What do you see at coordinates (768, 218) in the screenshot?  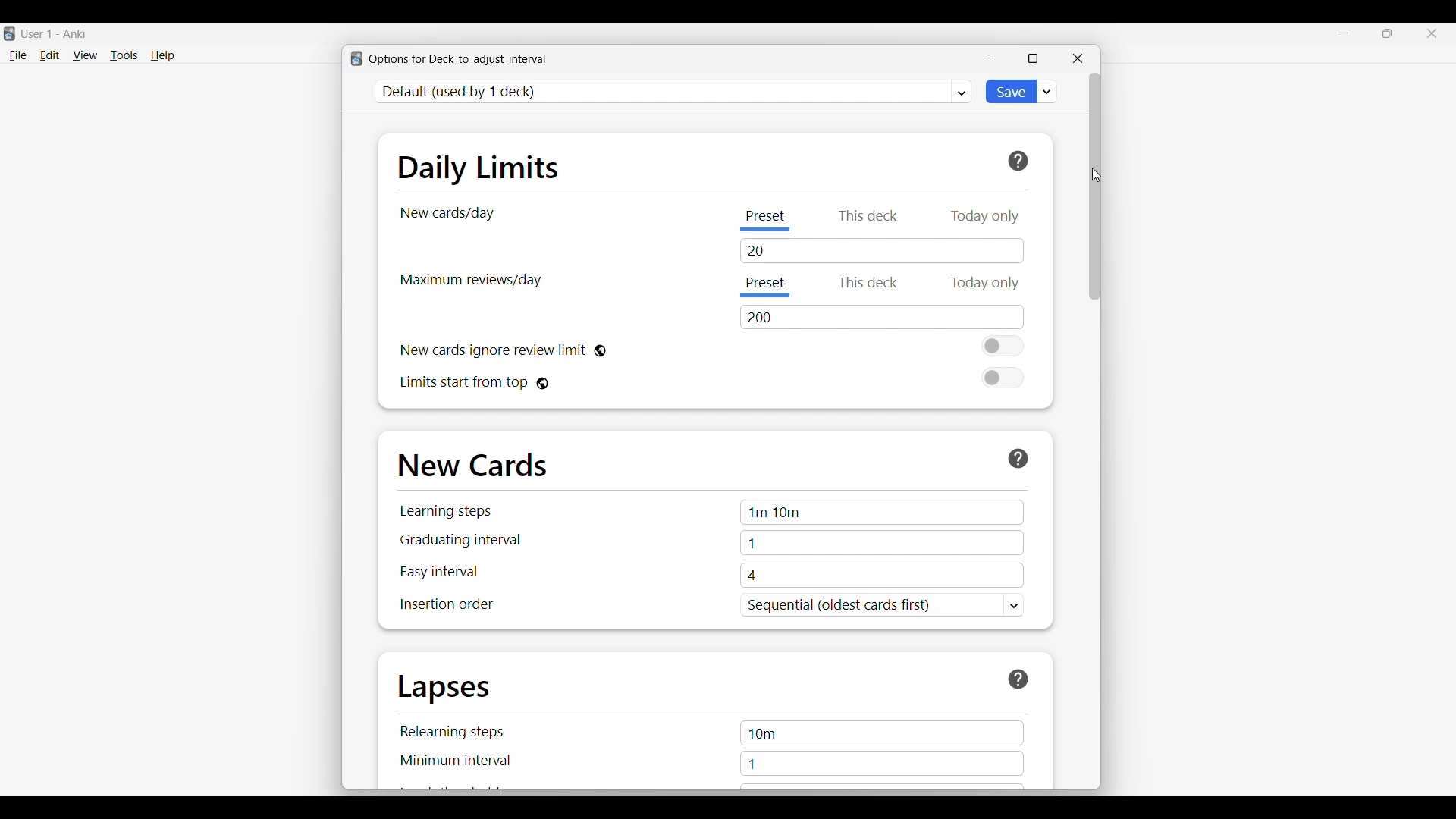 I see `Preset` at bounding box center [768, 218].